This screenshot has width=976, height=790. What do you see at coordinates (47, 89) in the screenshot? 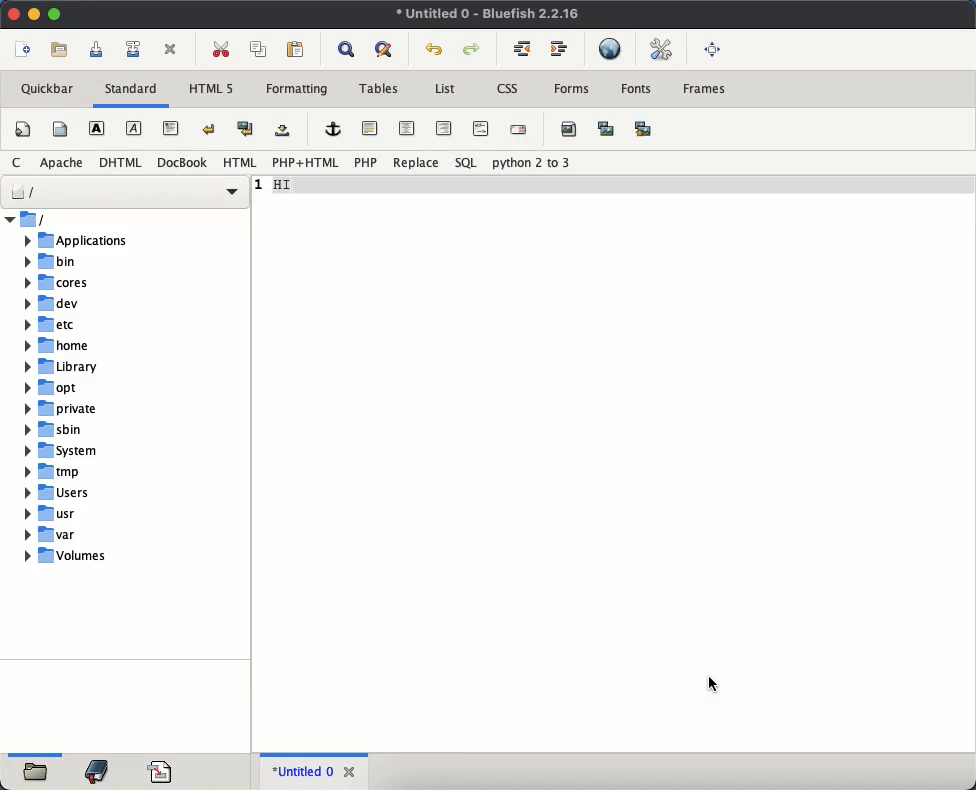
I see `quickbar` at bounding box center [47, 89].